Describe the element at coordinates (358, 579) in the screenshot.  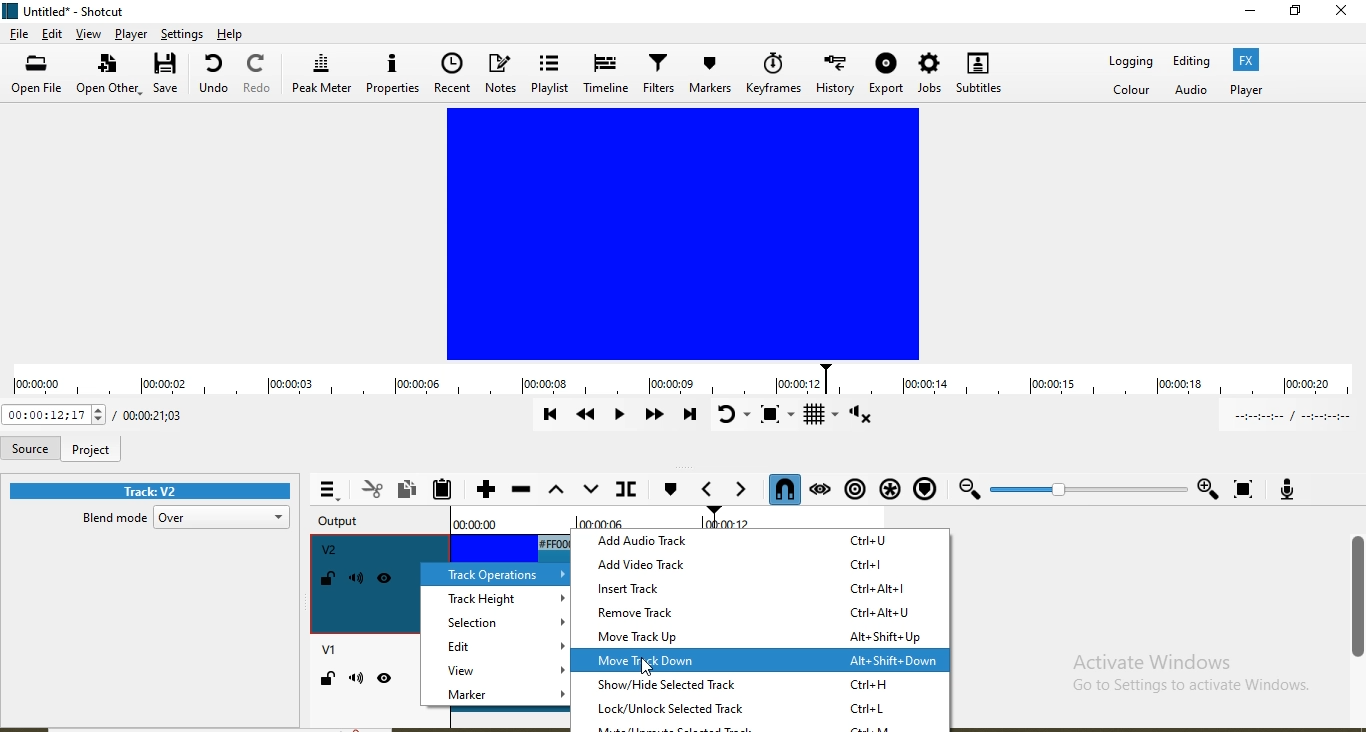
I see `Mute` at that location.